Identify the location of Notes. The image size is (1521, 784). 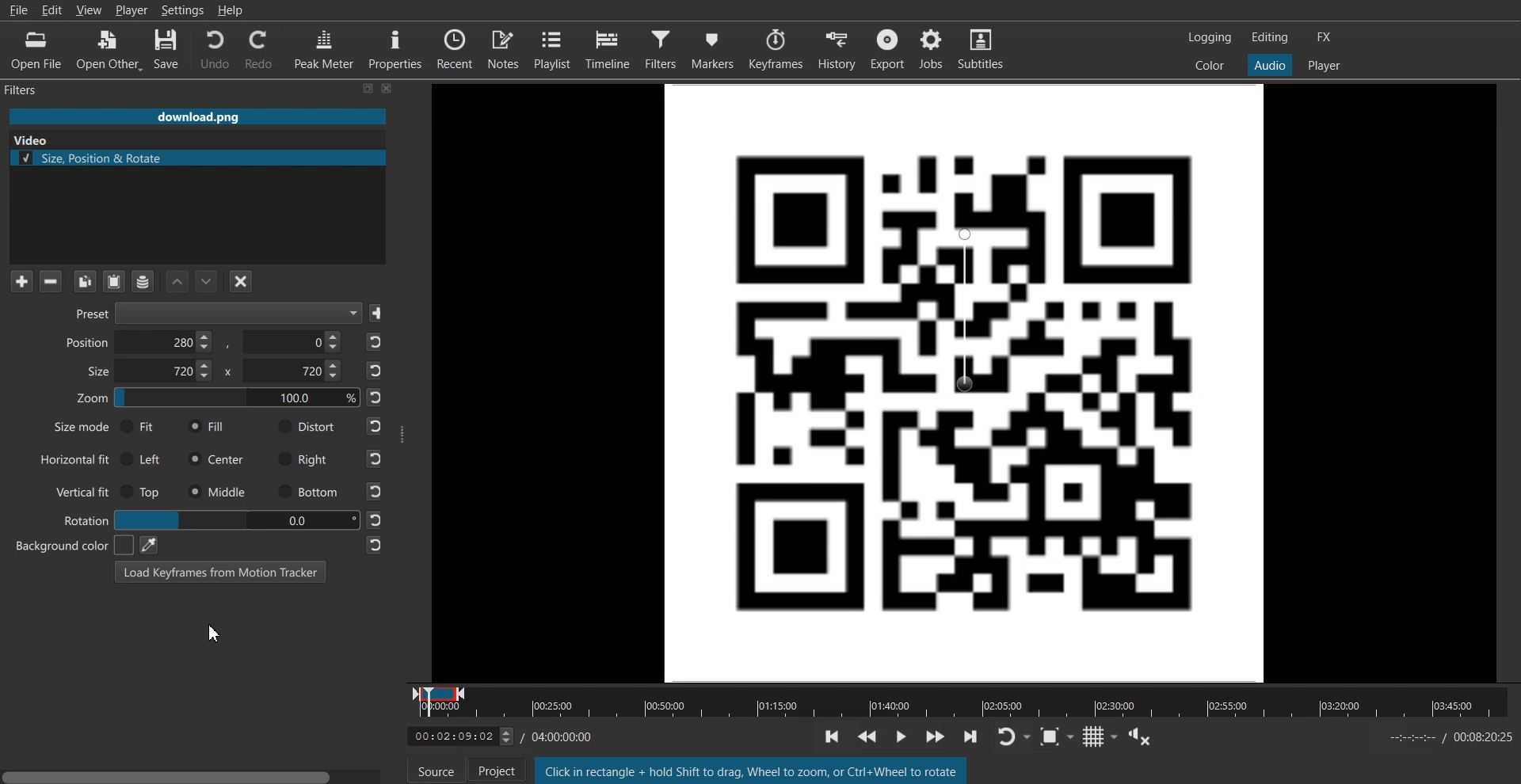
(504, 48).